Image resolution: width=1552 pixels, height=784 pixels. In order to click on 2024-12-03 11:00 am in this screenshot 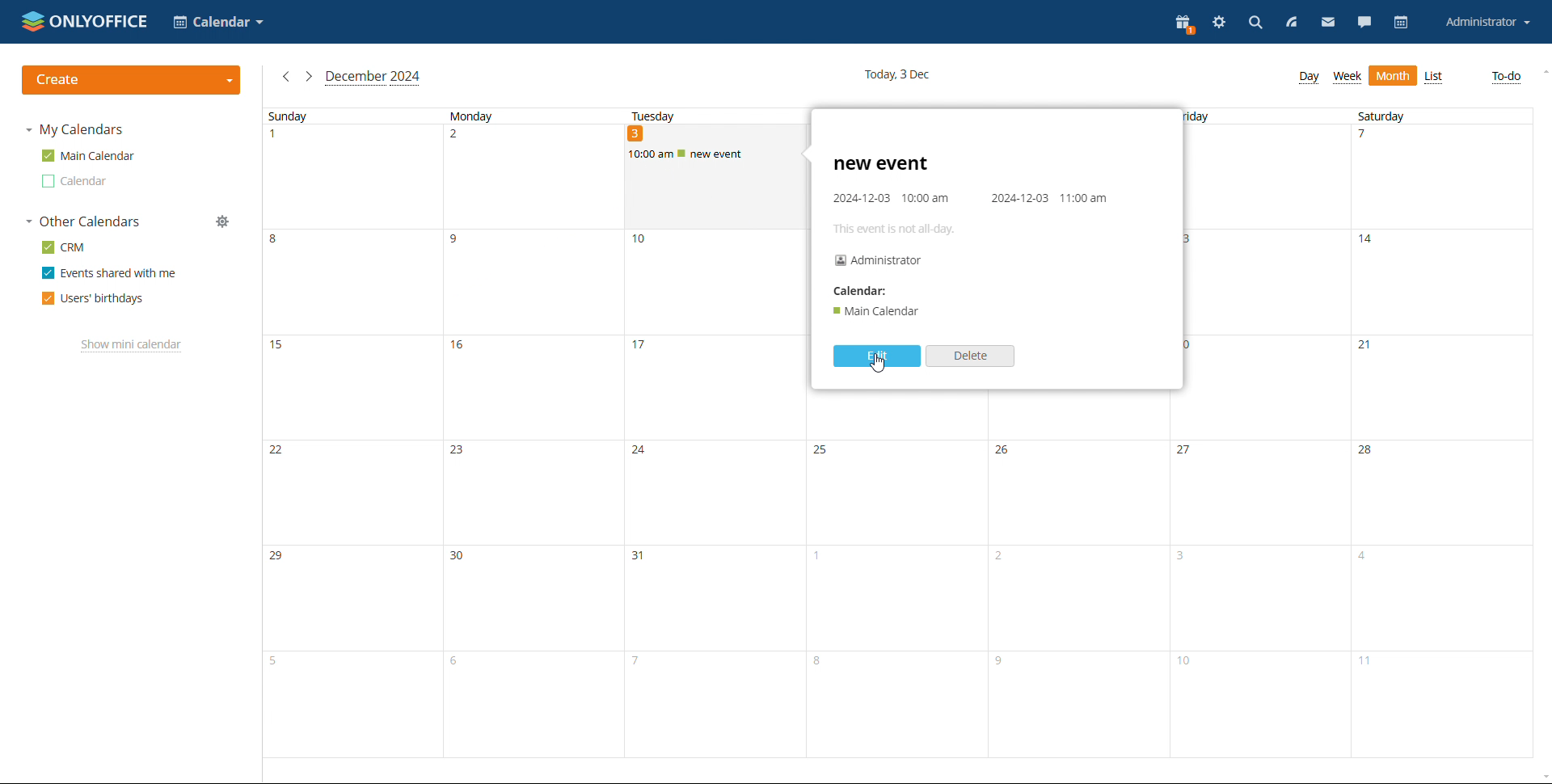, I will do `click(1048, 196)`.